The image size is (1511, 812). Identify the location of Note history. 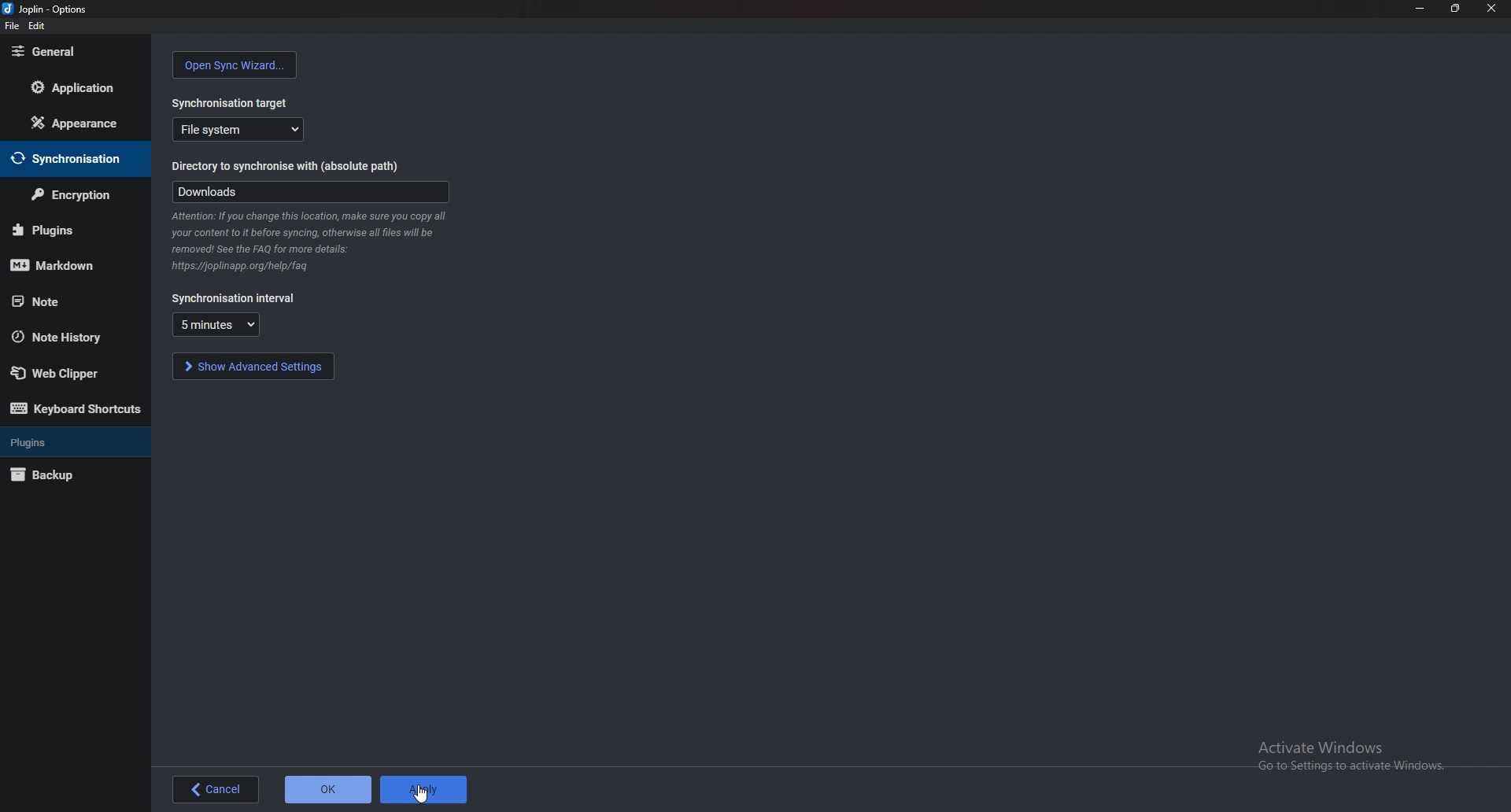
(74, 337).